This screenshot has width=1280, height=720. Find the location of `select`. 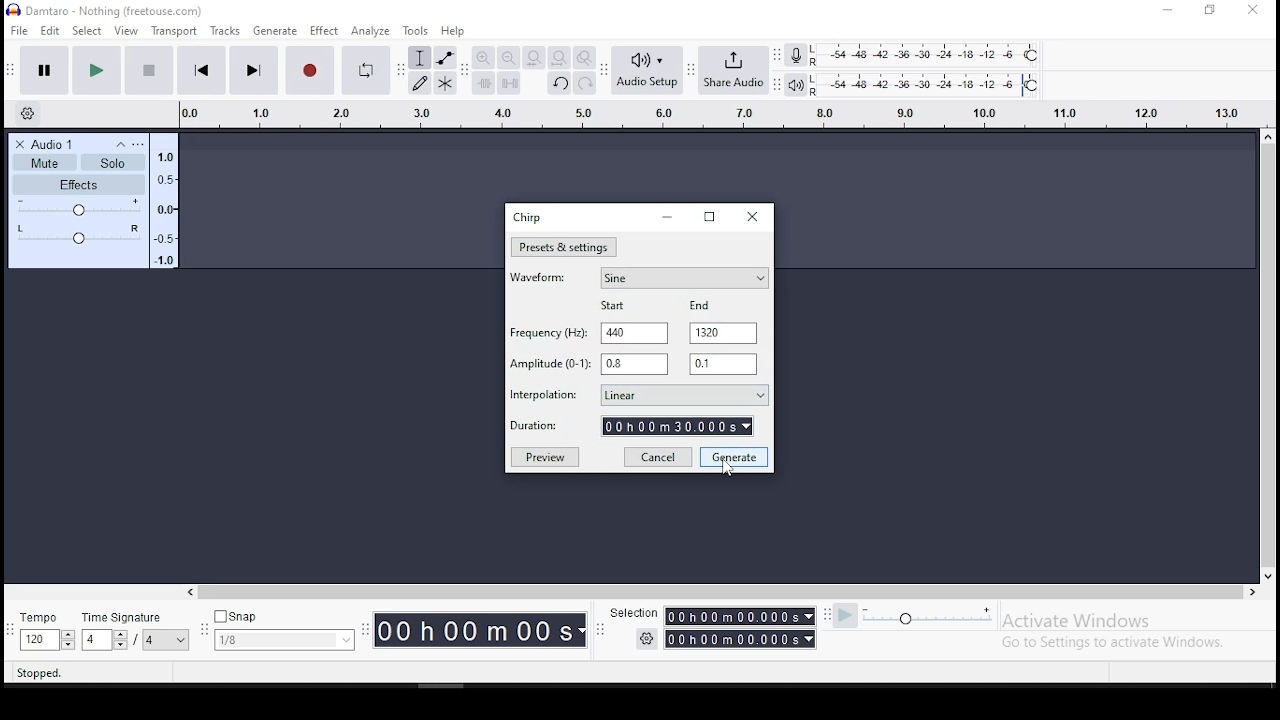

select is located at coordinates (89, 32).